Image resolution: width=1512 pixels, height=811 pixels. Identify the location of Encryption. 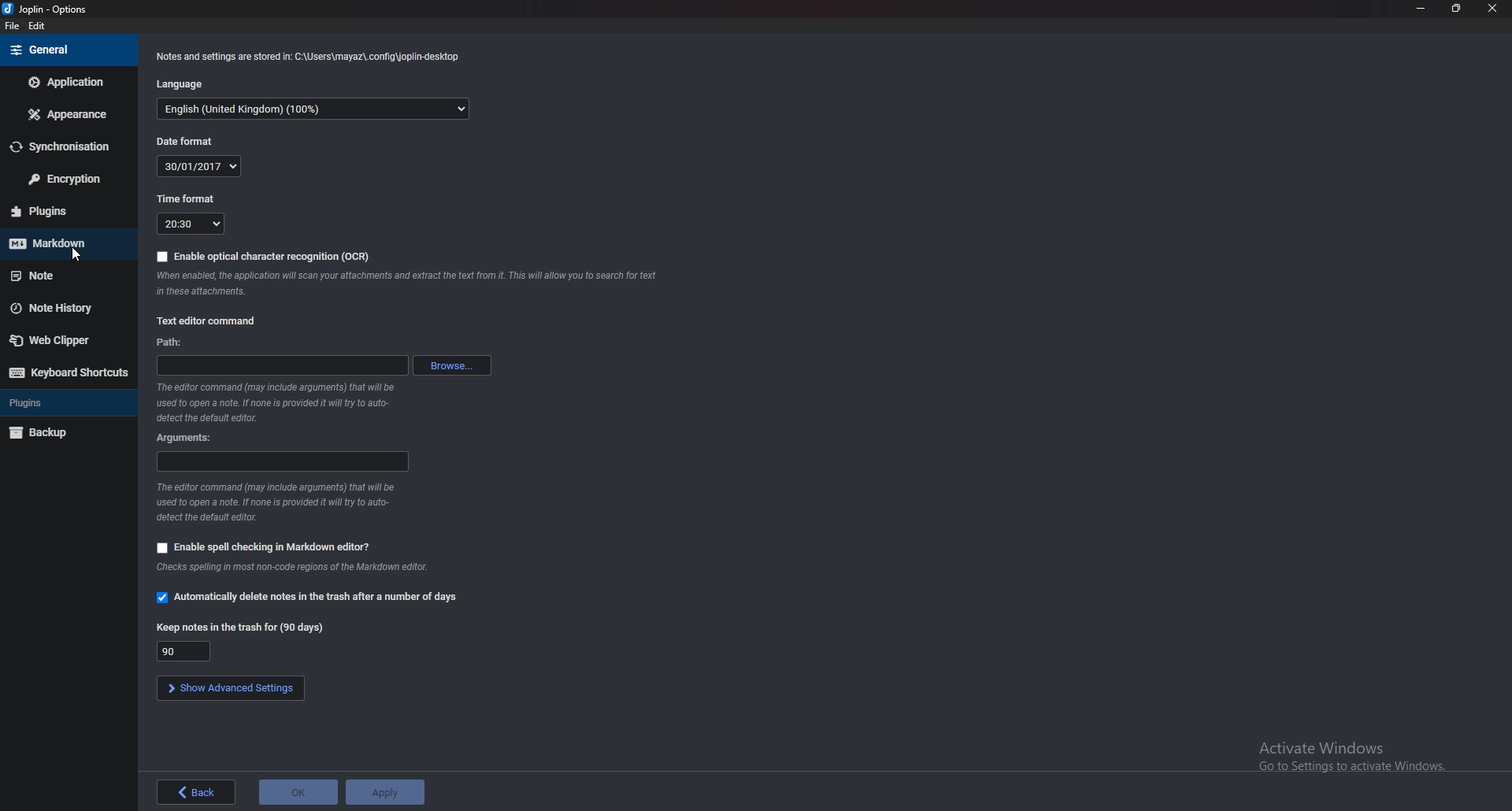
(65, 178).